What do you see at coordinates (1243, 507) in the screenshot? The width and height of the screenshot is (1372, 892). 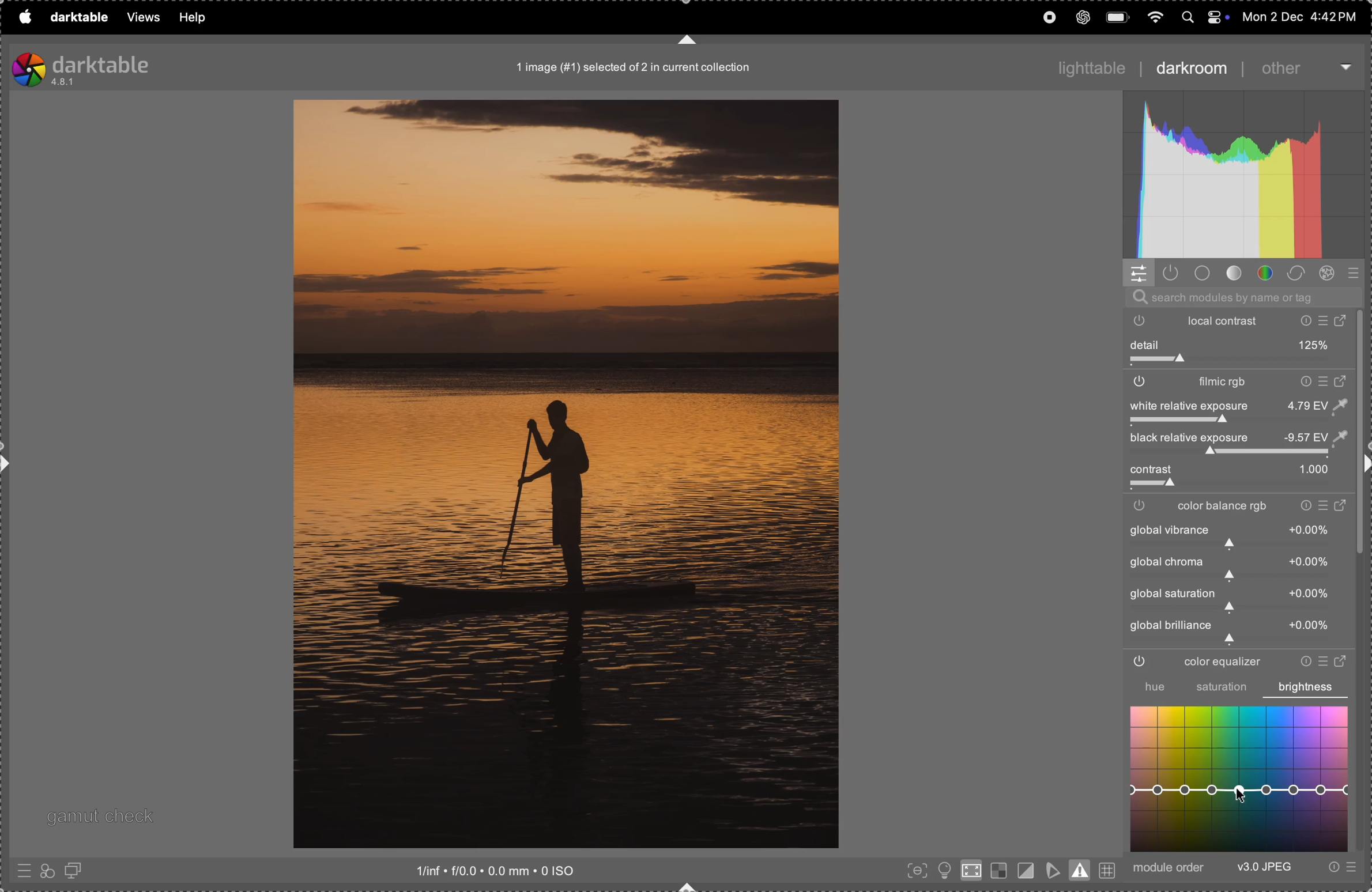 I see `color bar` at bounding box center [1243, 507].